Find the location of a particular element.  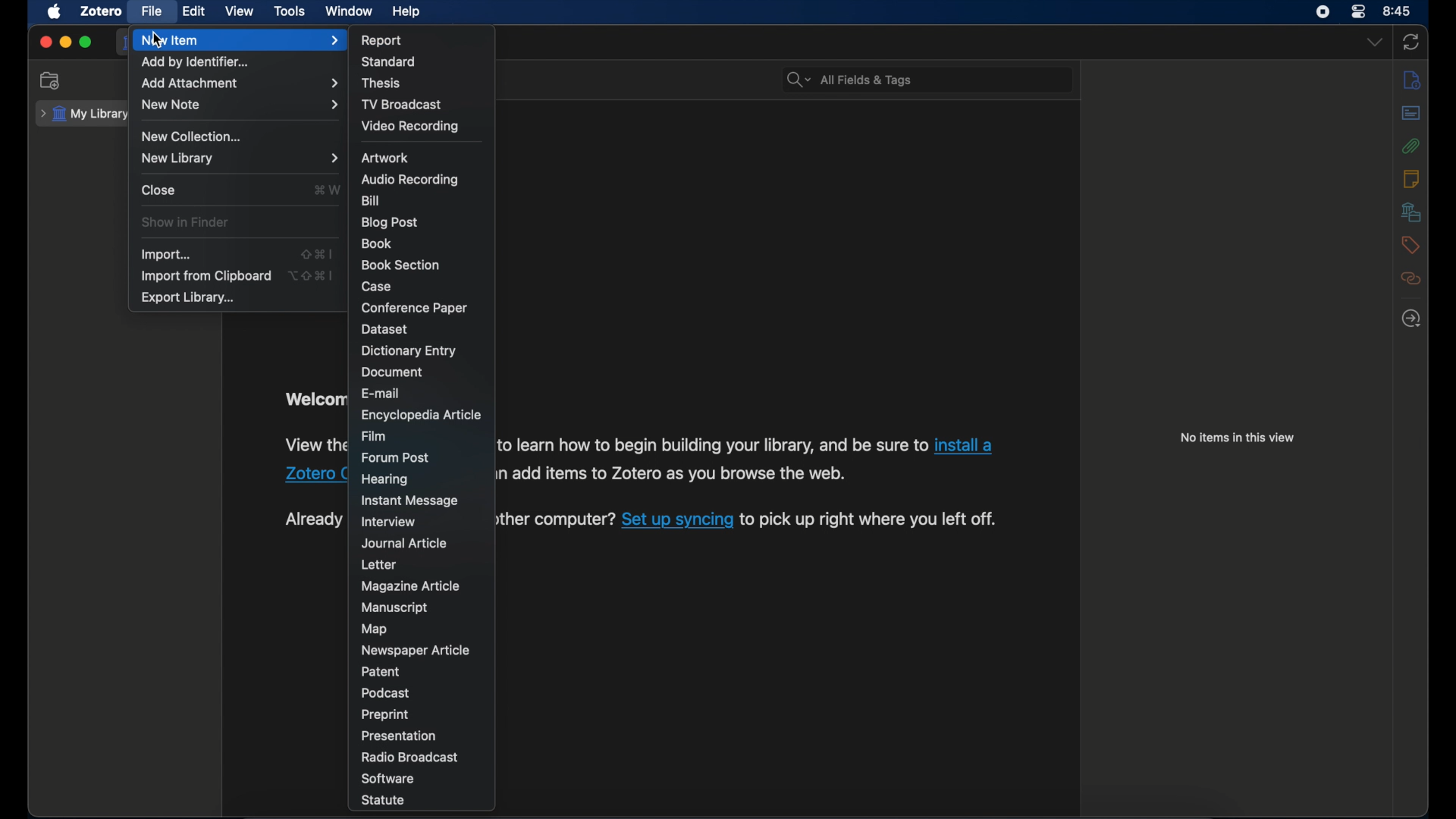

libraries is located at coordinates (1410, 212).